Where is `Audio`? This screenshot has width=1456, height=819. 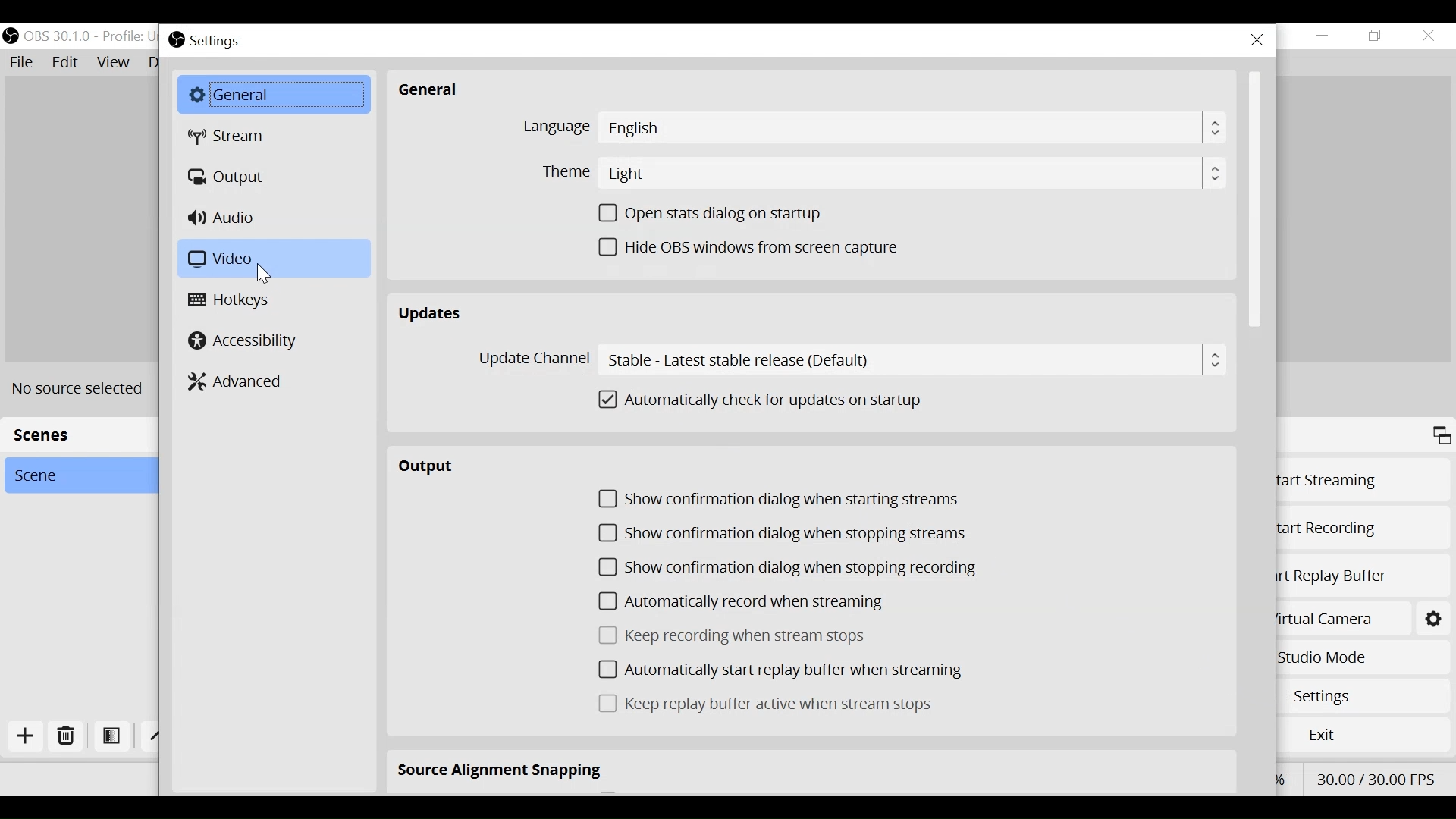
Audio is located at coordinates (225, 219).